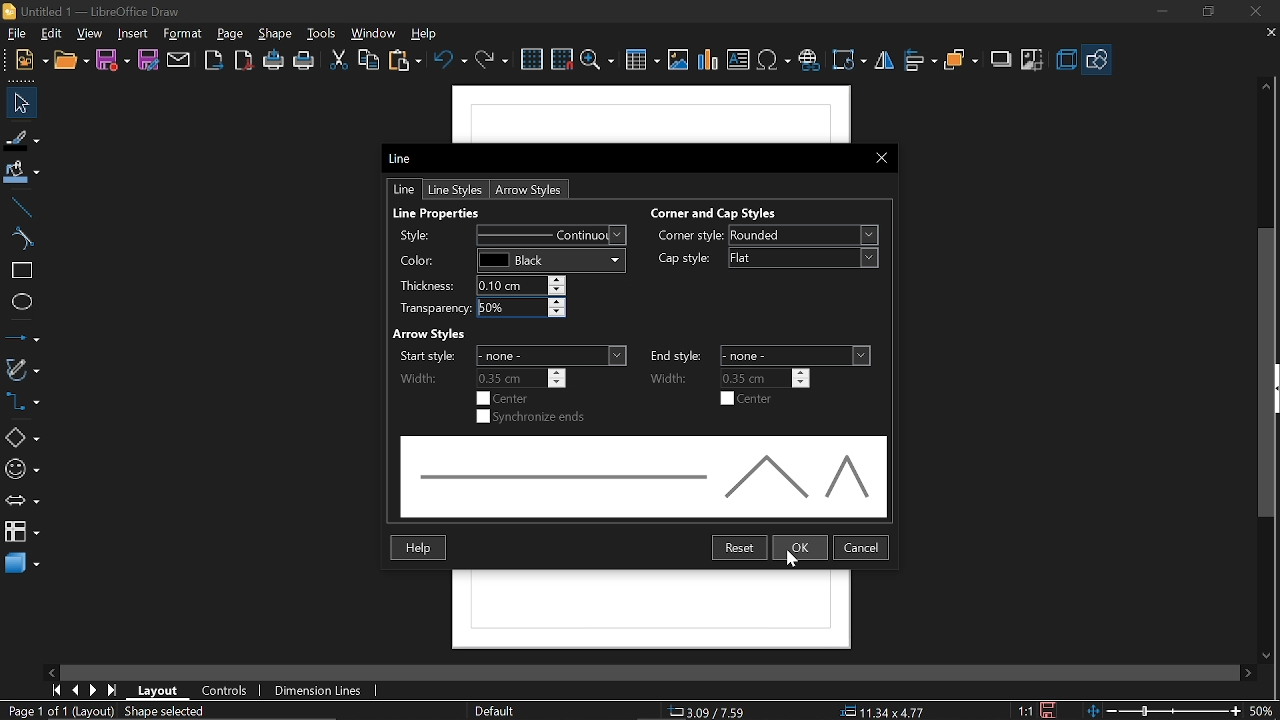 Image resolution: width=1280 pixels, height=720 pixels. What do you see at coordinates (424, 33) in the screenshot?
I see `help` at bounding box center [424, 33].